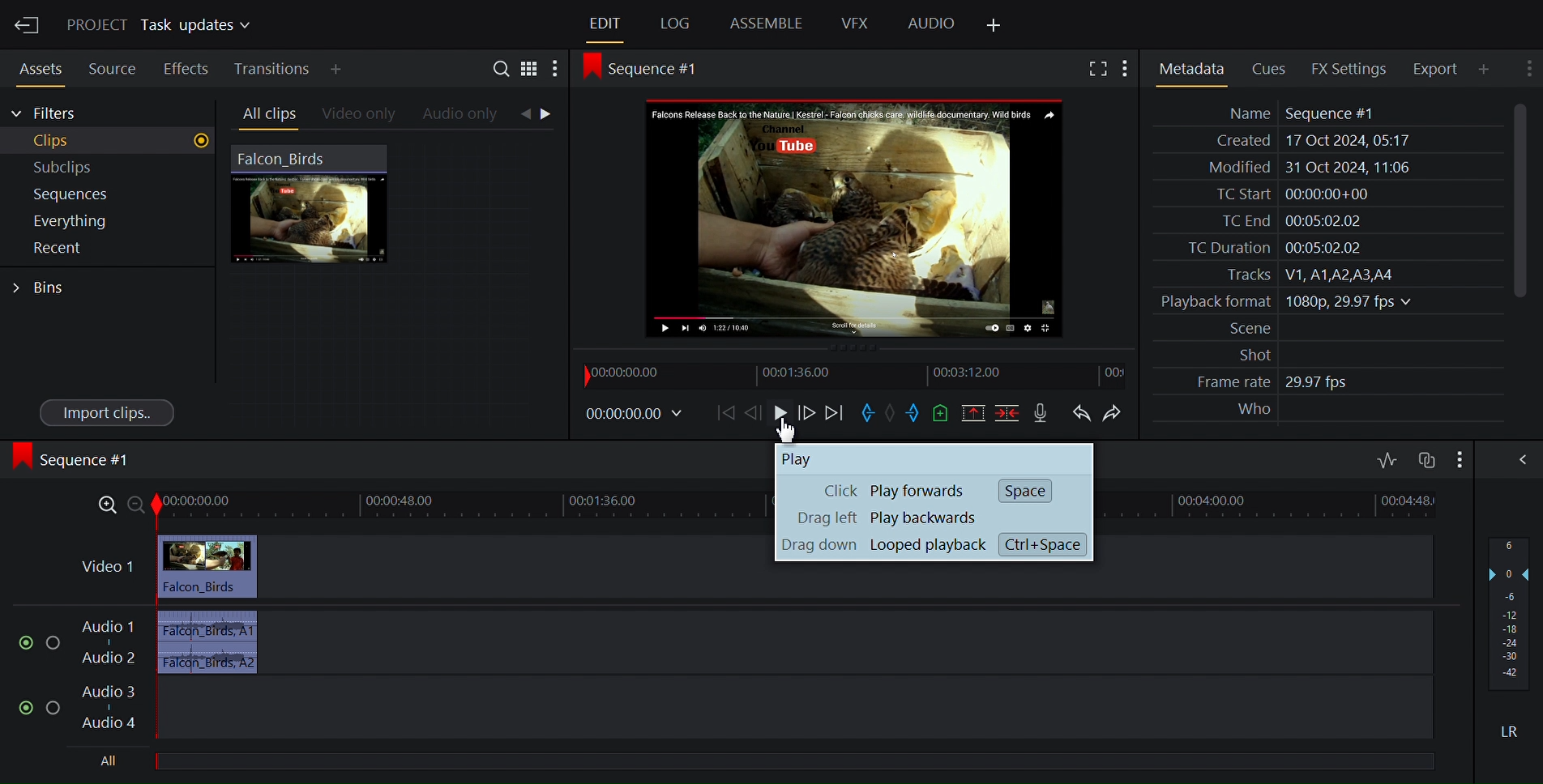 This screenshot has width=1543, height=784. What do you see at coordinates (914, 414) in the screenshot?
I see `Mark out` at bounding box center [914, 414].